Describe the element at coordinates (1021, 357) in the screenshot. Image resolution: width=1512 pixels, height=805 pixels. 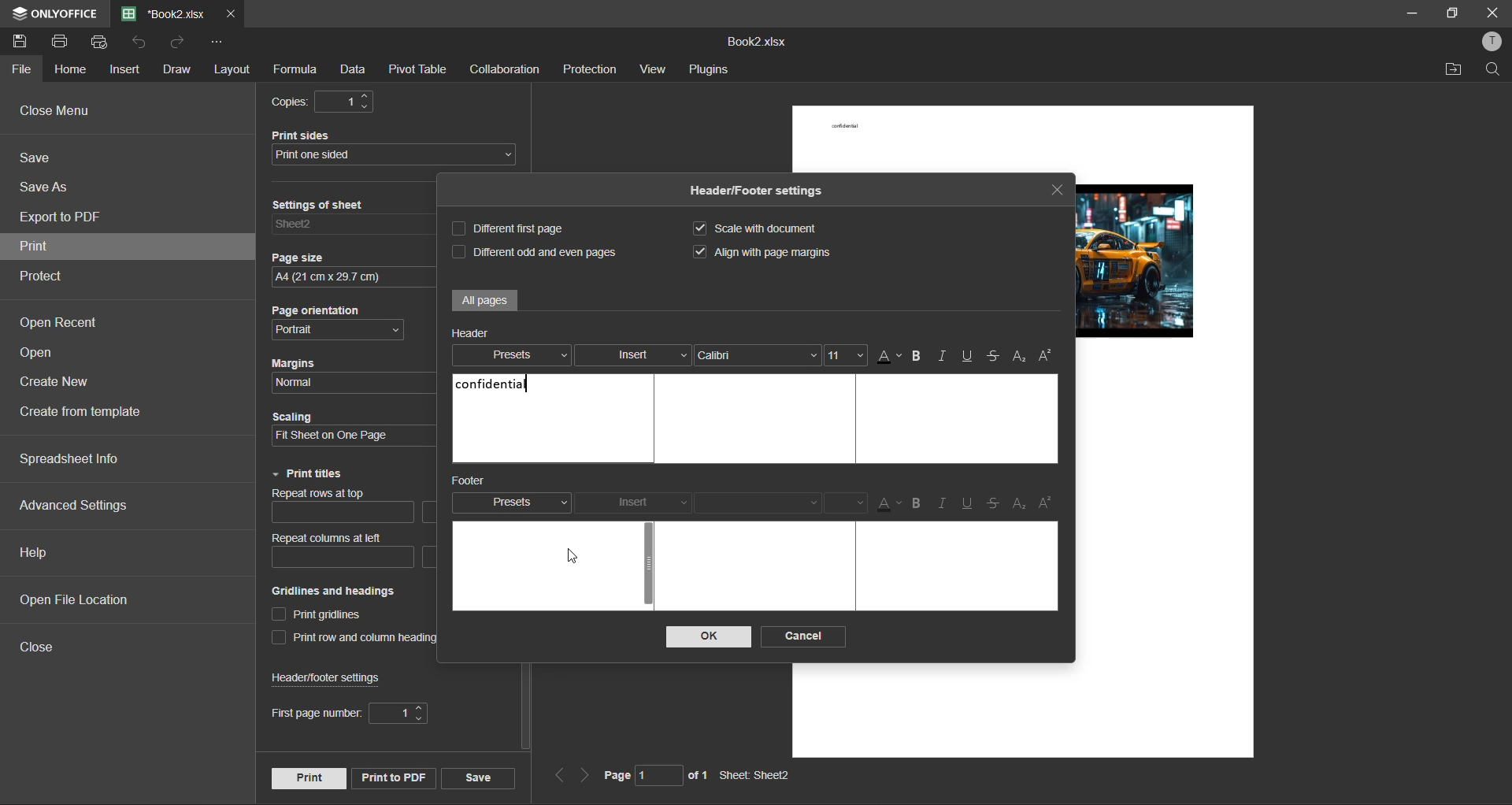
I see `sub/superscript` at that location.